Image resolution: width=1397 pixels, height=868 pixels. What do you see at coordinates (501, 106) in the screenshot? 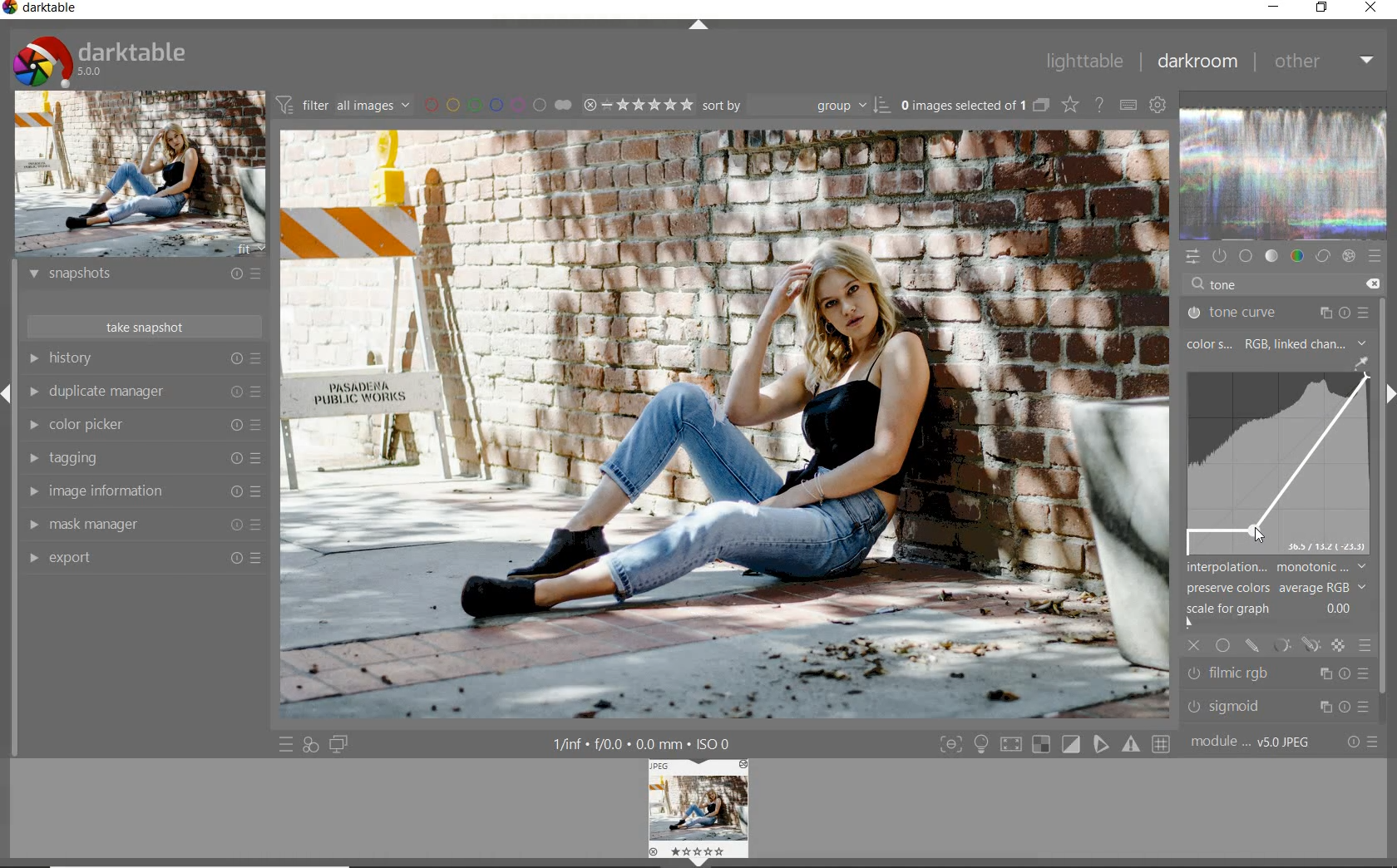
I see `filter by image color` at bounding box center [501, 106].